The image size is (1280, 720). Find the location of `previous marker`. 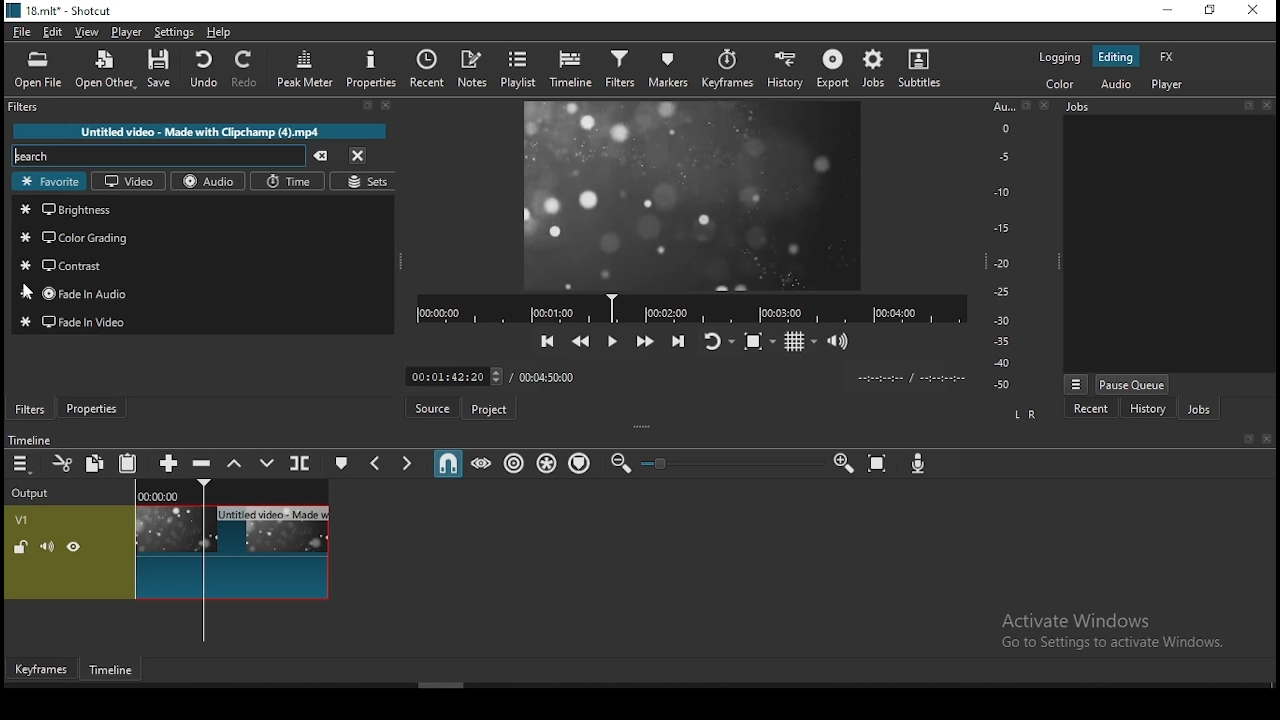

previous marker is located at coordinates (378, 461).